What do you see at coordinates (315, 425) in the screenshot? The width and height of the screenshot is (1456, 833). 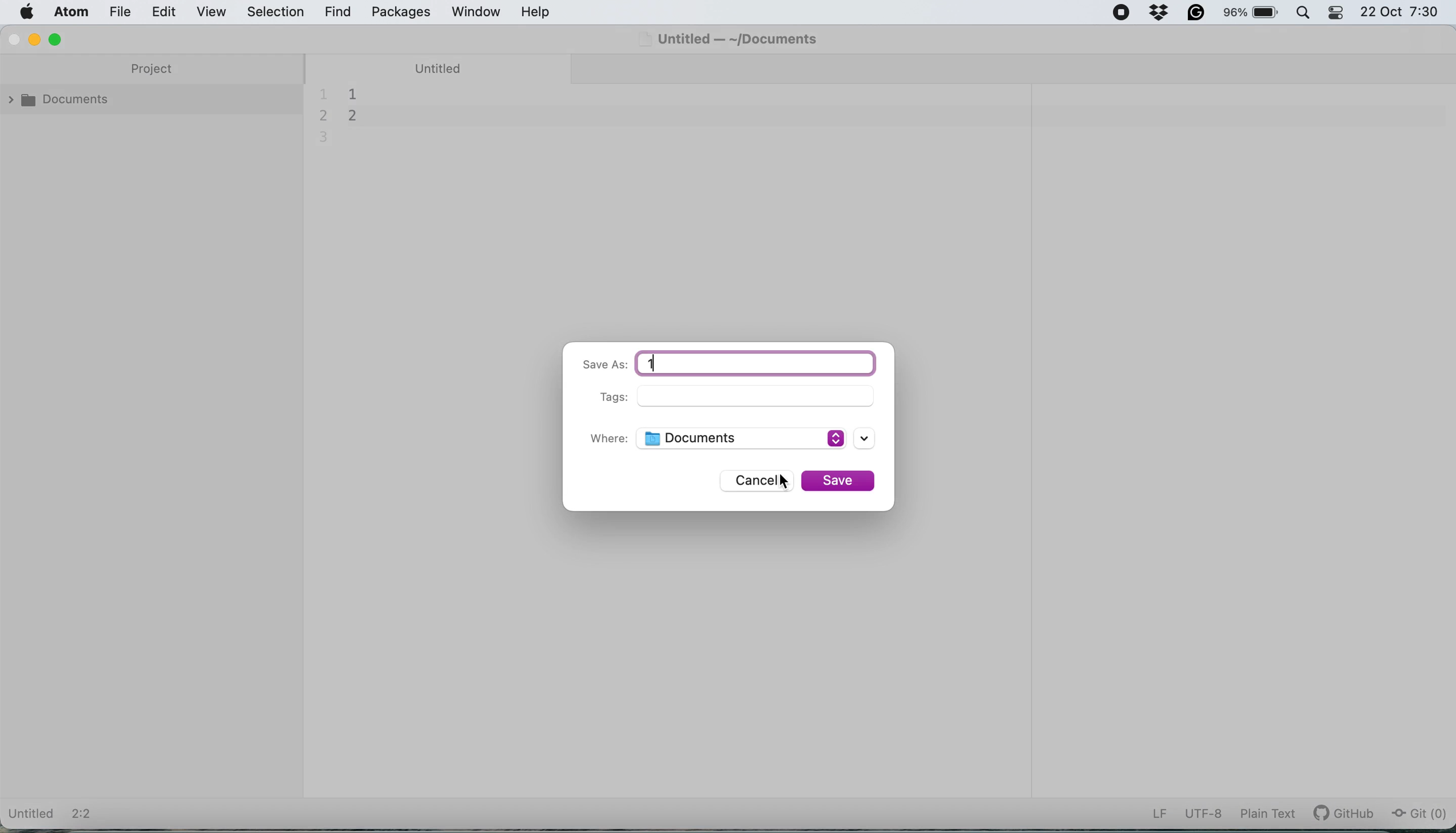 I see `collapse` at bounding box center [315, 425].